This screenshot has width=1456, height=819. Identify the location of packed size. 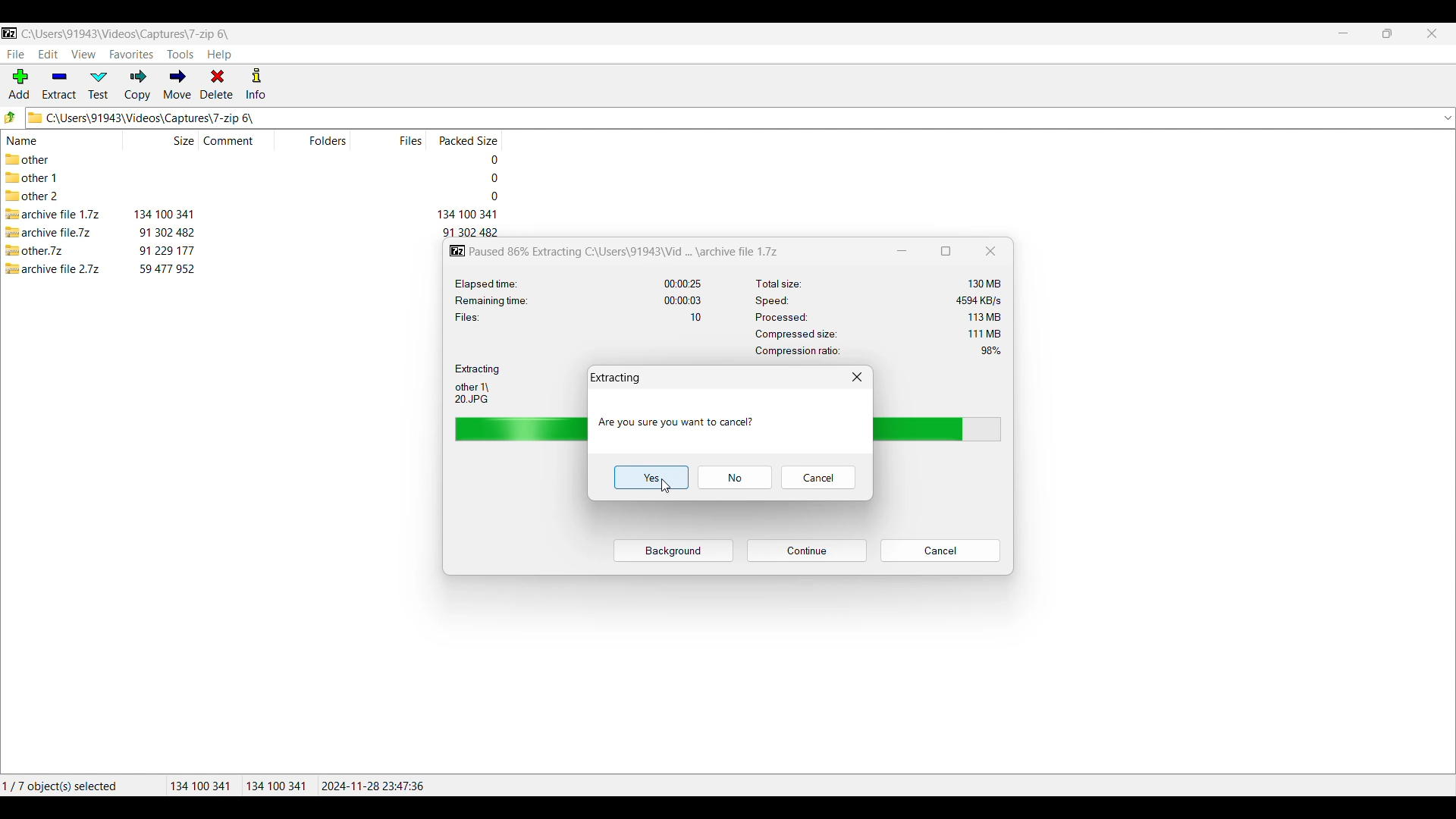
(488, 178).